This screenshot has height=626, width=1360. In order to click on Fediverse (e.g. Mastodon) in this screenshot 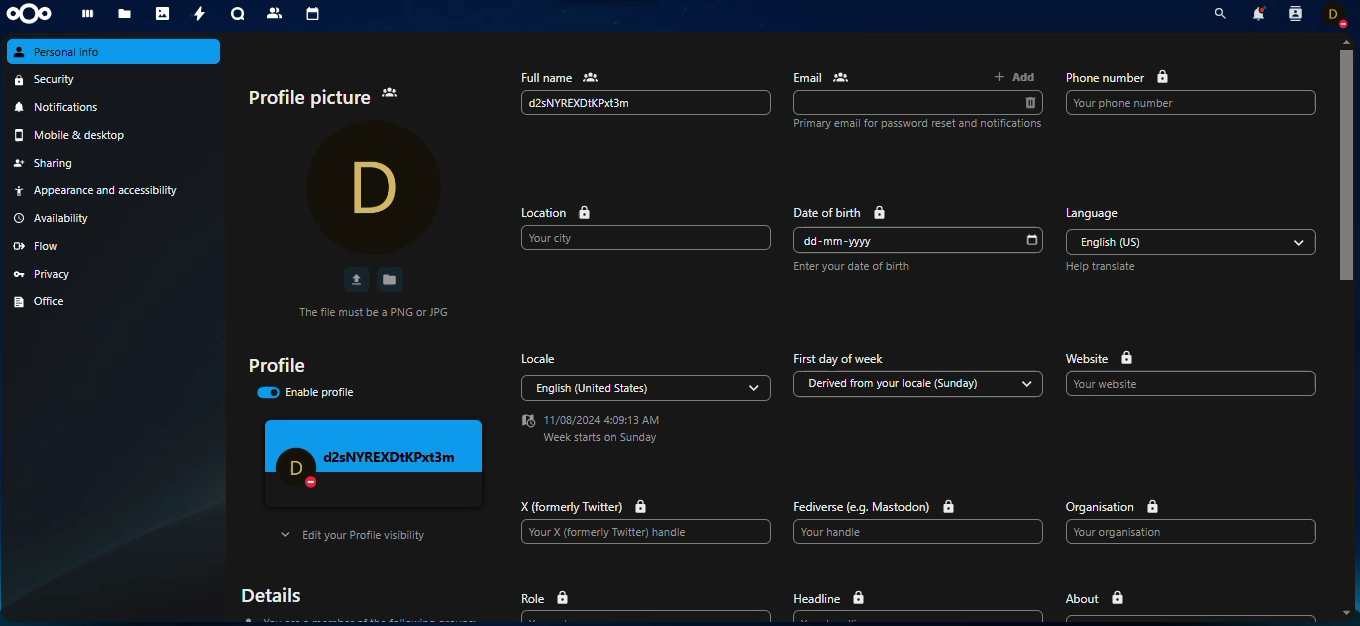, I will do `click(874, 507)`.